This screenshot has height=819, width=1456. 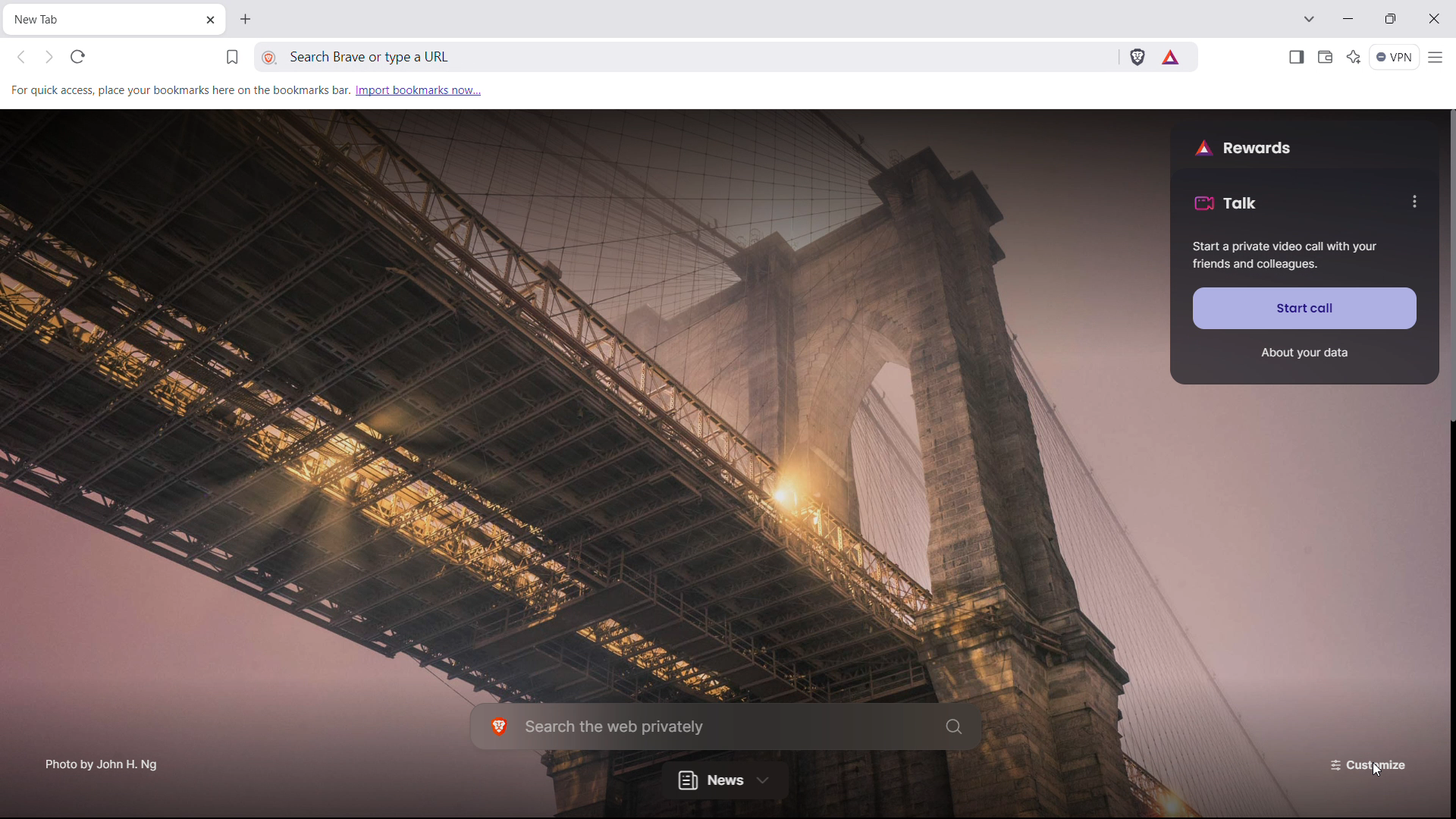 What do you see at coordinates (726, 726) in the screenshot?
I see `search the web privately` at bounding box center [726, 726].